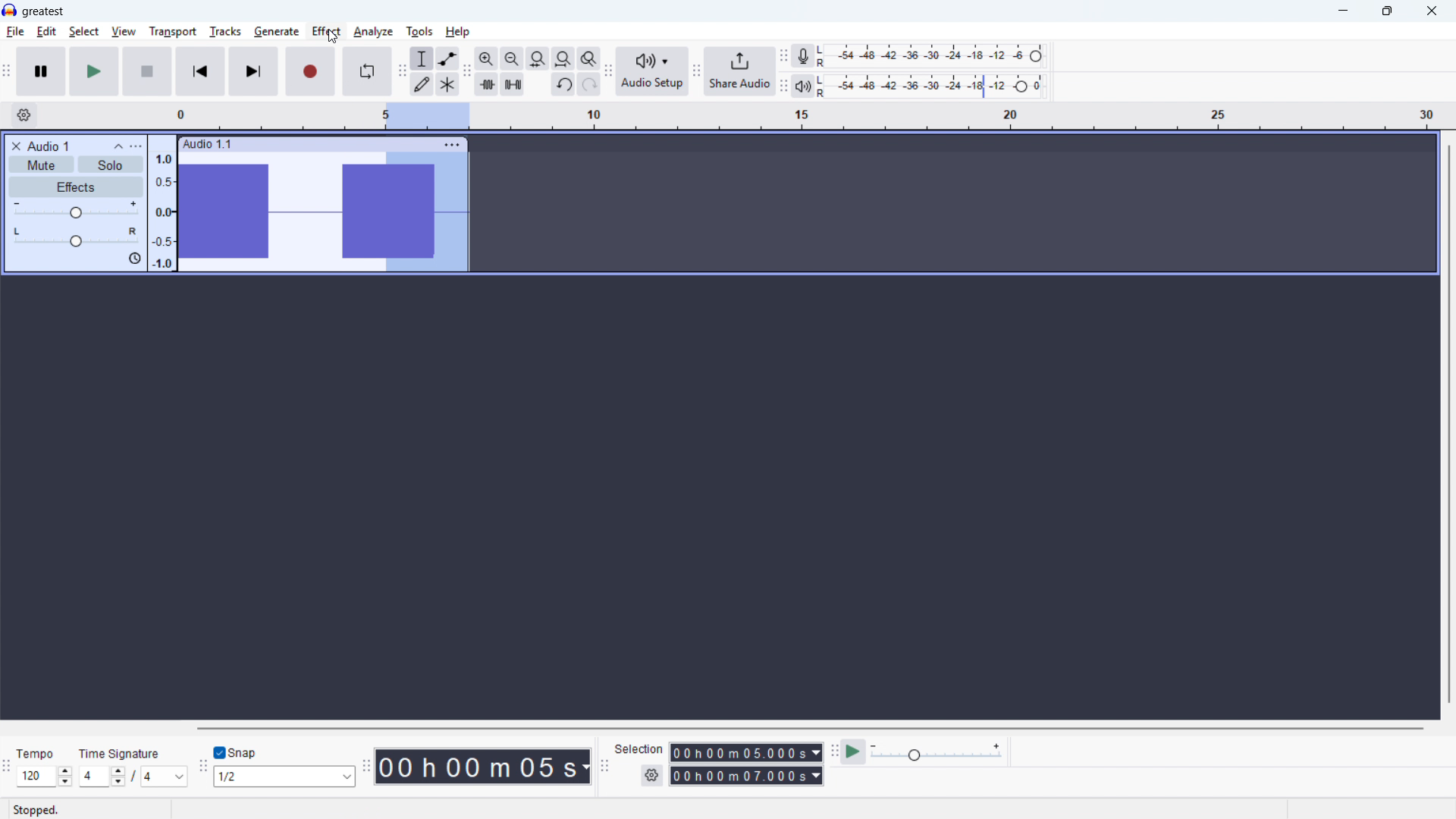 The height and width of the screenshot is (819, 1456). Describe the element at coordinates (326, 32) in the screenshot. I see `effect` at that location.